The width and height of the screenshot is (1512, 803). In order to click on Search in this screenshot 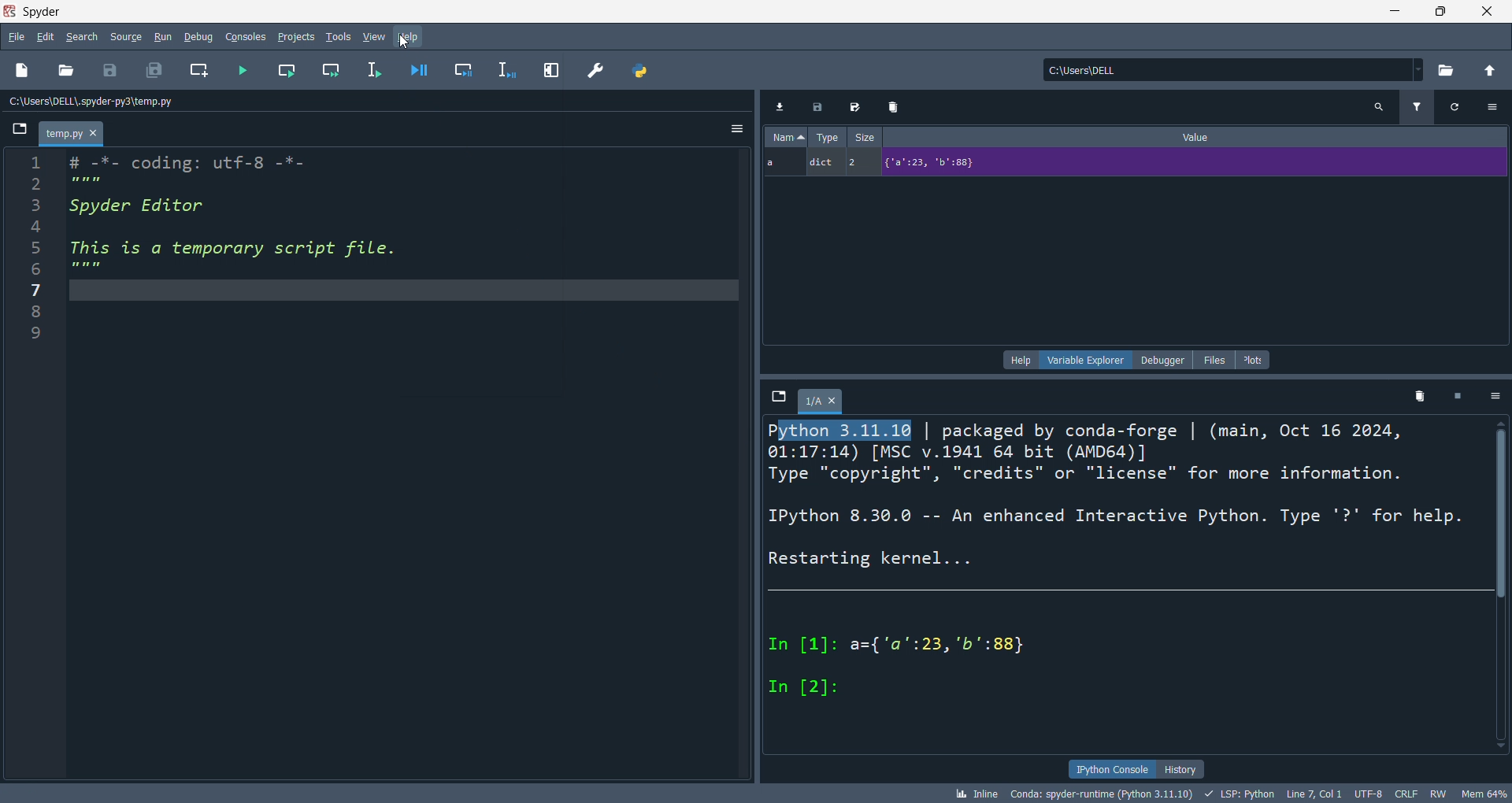, I will do `click(1380, 106)`.